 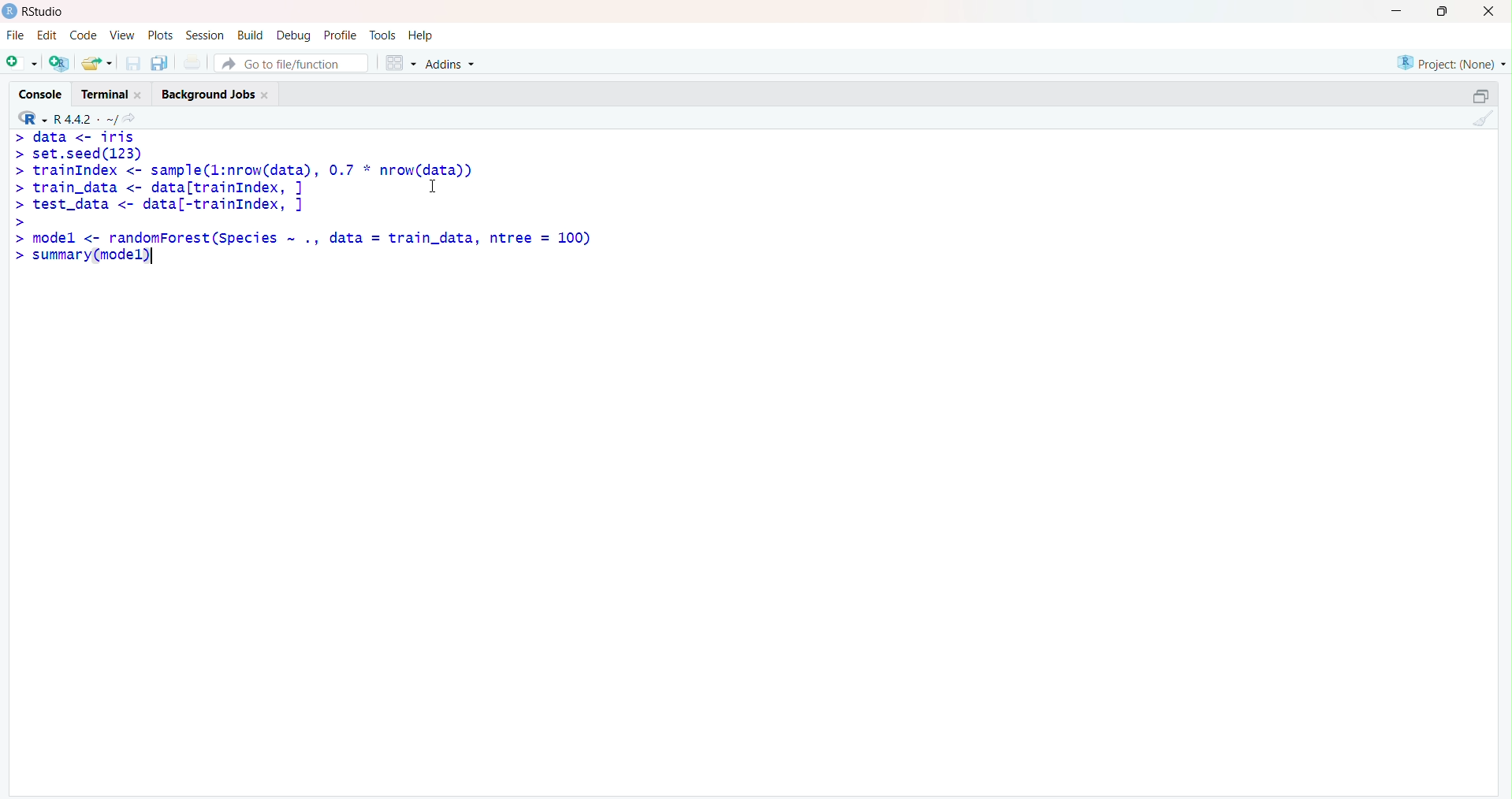 I want to click on Build, so click(x=252, y=34).